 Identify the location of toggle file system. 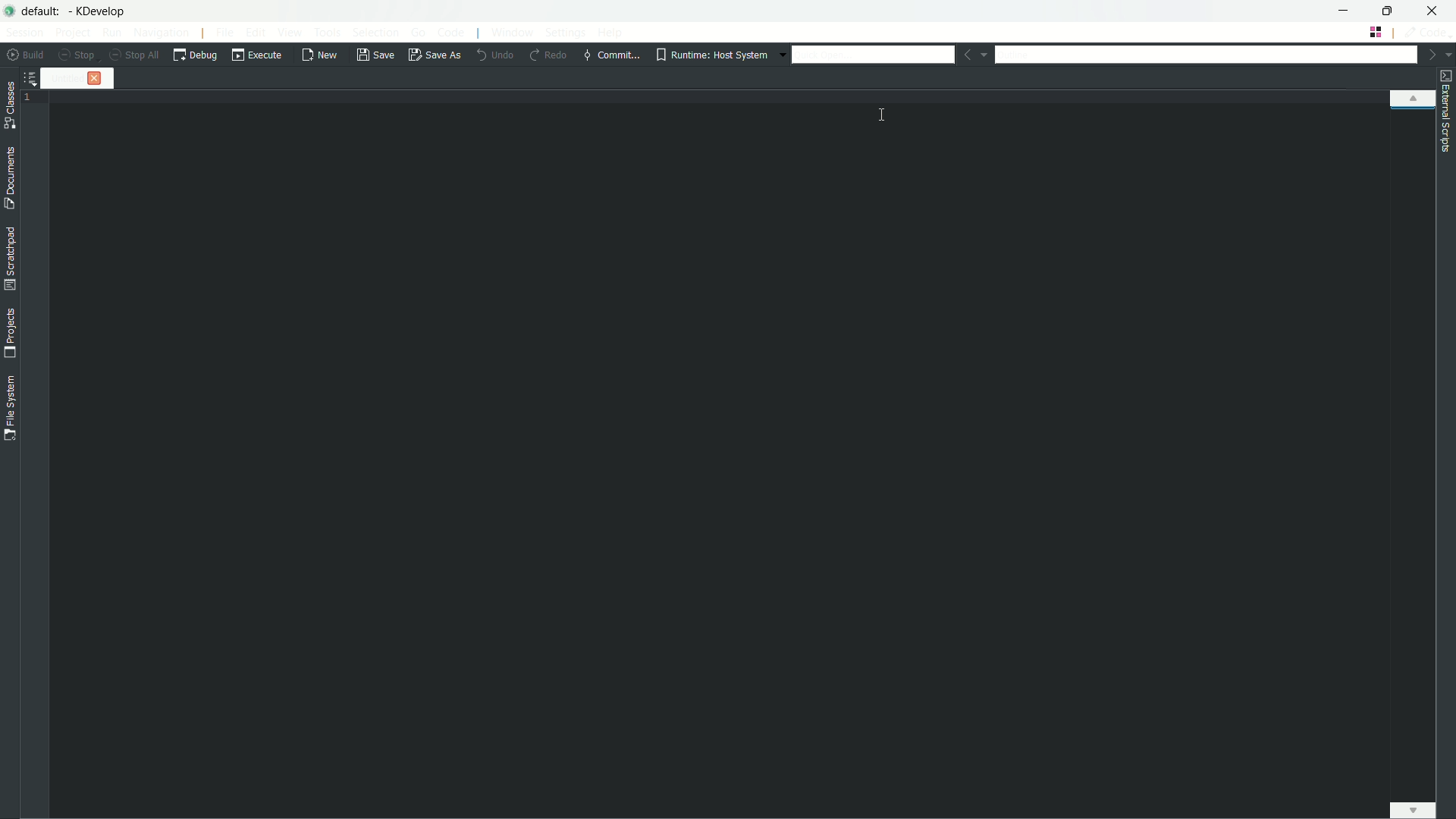
(9, 408).